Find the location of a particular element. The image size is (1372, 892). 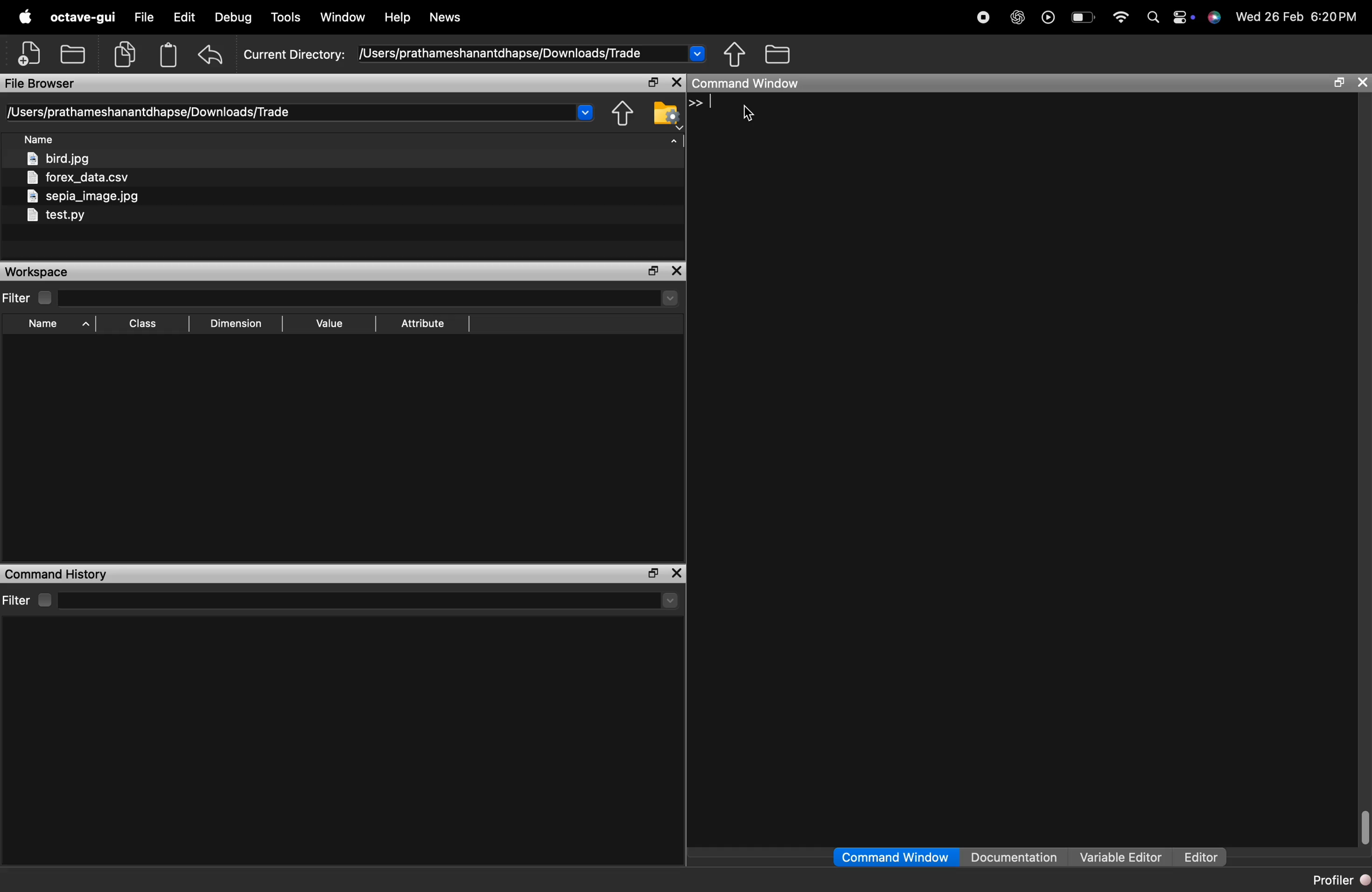

maximize is located at coordinates (653, 83).